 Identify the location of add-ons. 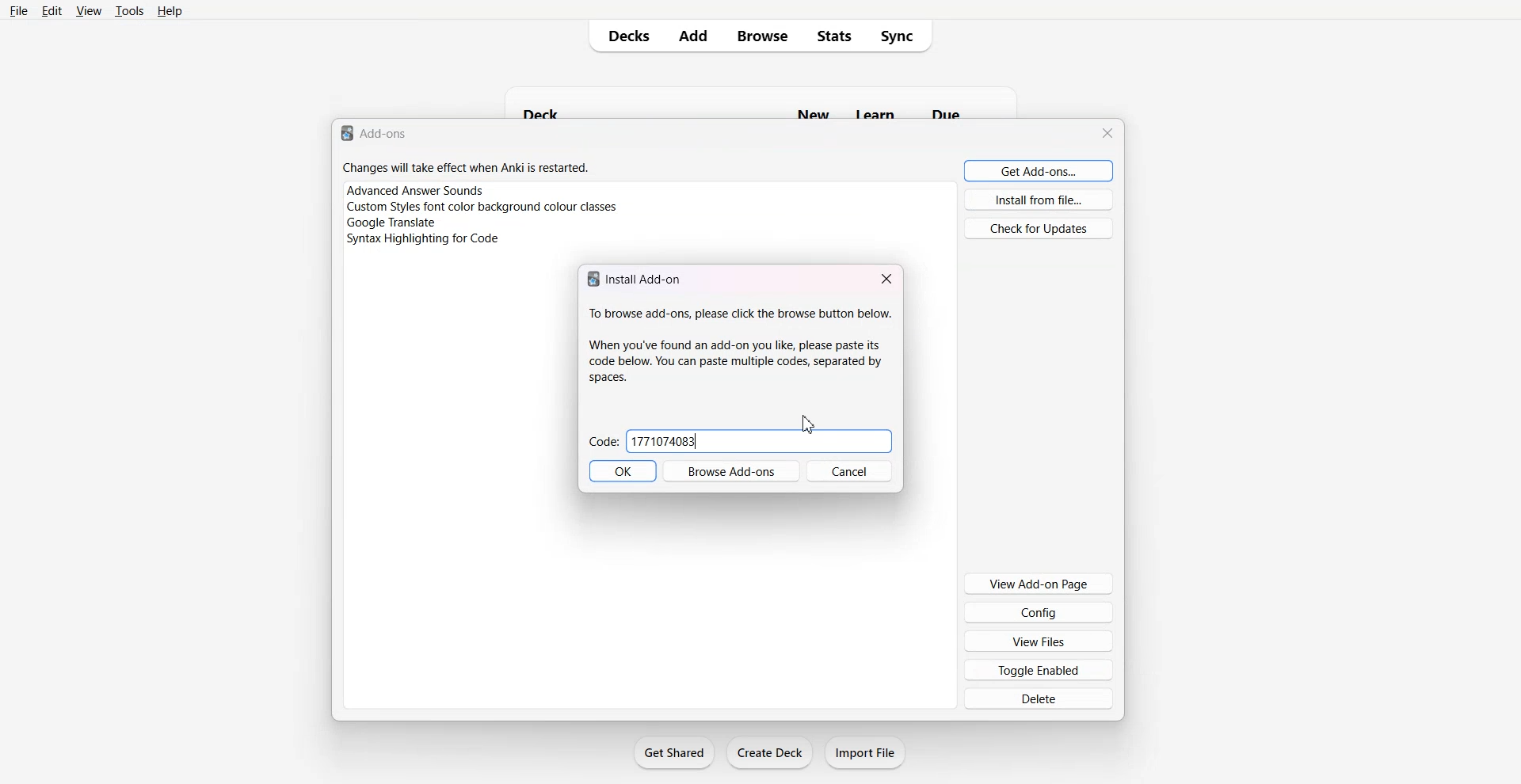
(376, 132).